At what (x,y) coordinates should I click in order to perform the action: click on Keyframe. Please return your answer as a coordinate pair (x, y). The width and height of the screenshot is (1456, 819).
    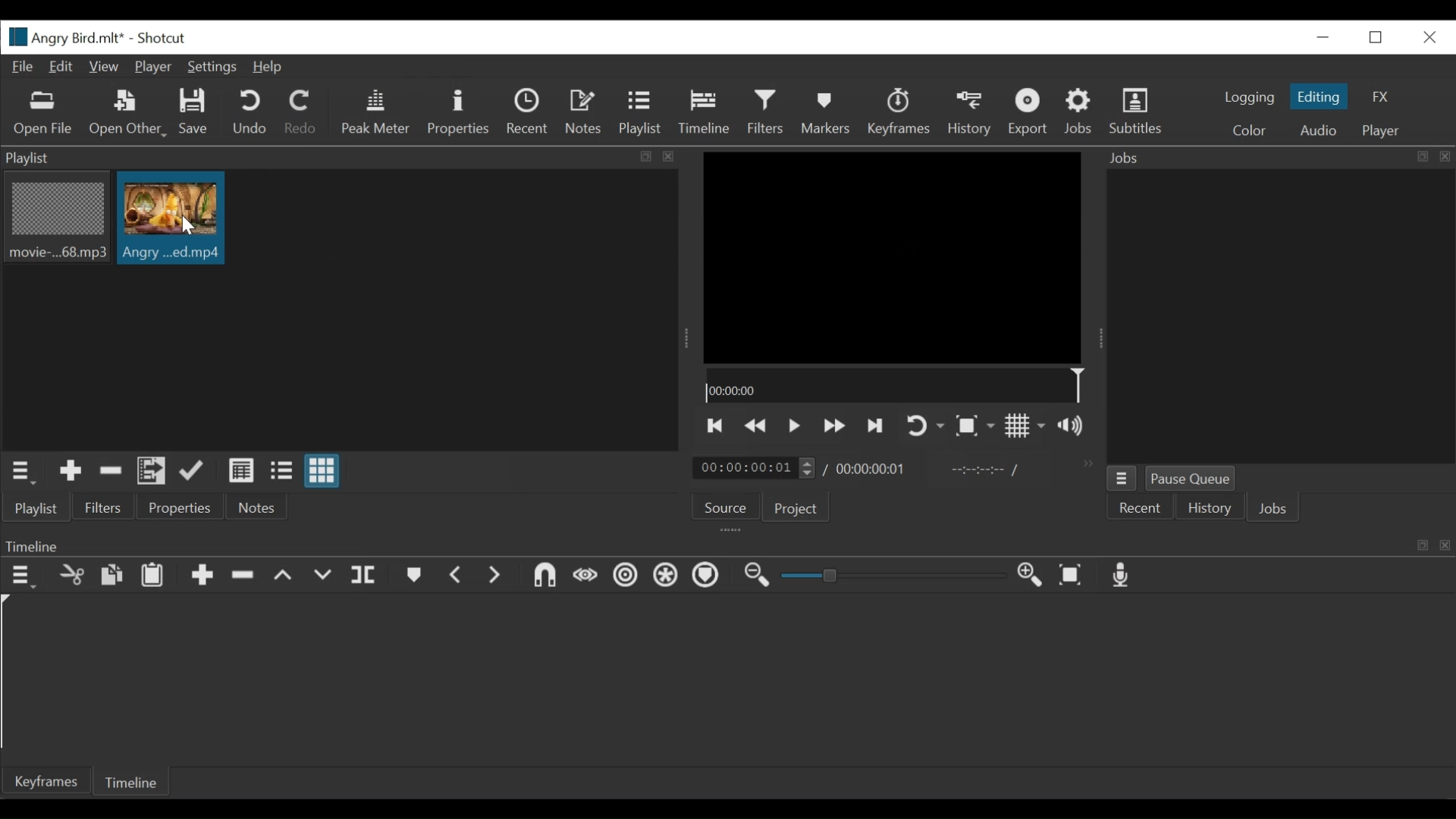
    Looking at the image, I should click on (42, 780).